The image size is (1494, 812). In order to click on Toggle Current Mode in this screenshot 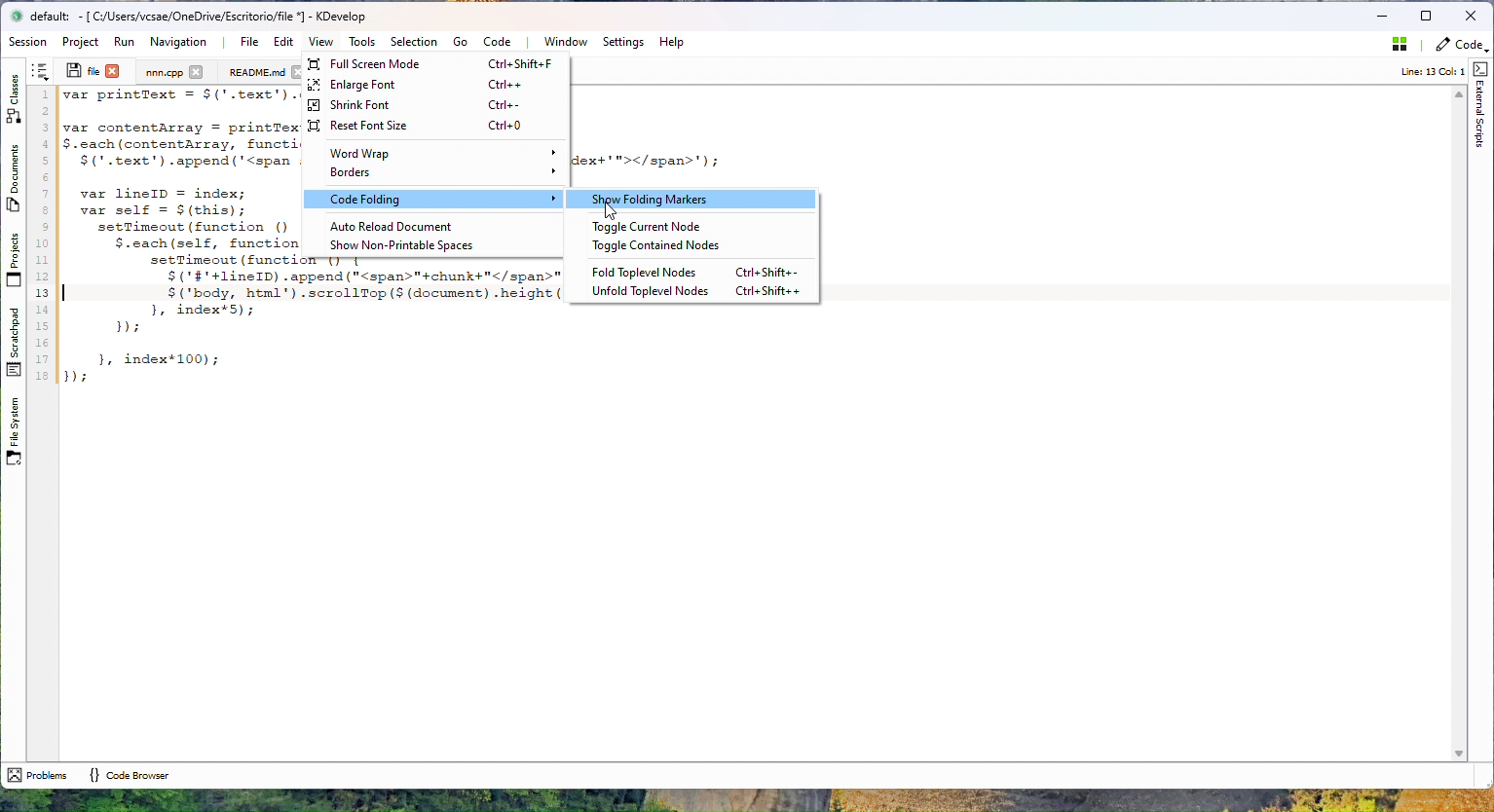, I will do `click(669, 227)`.